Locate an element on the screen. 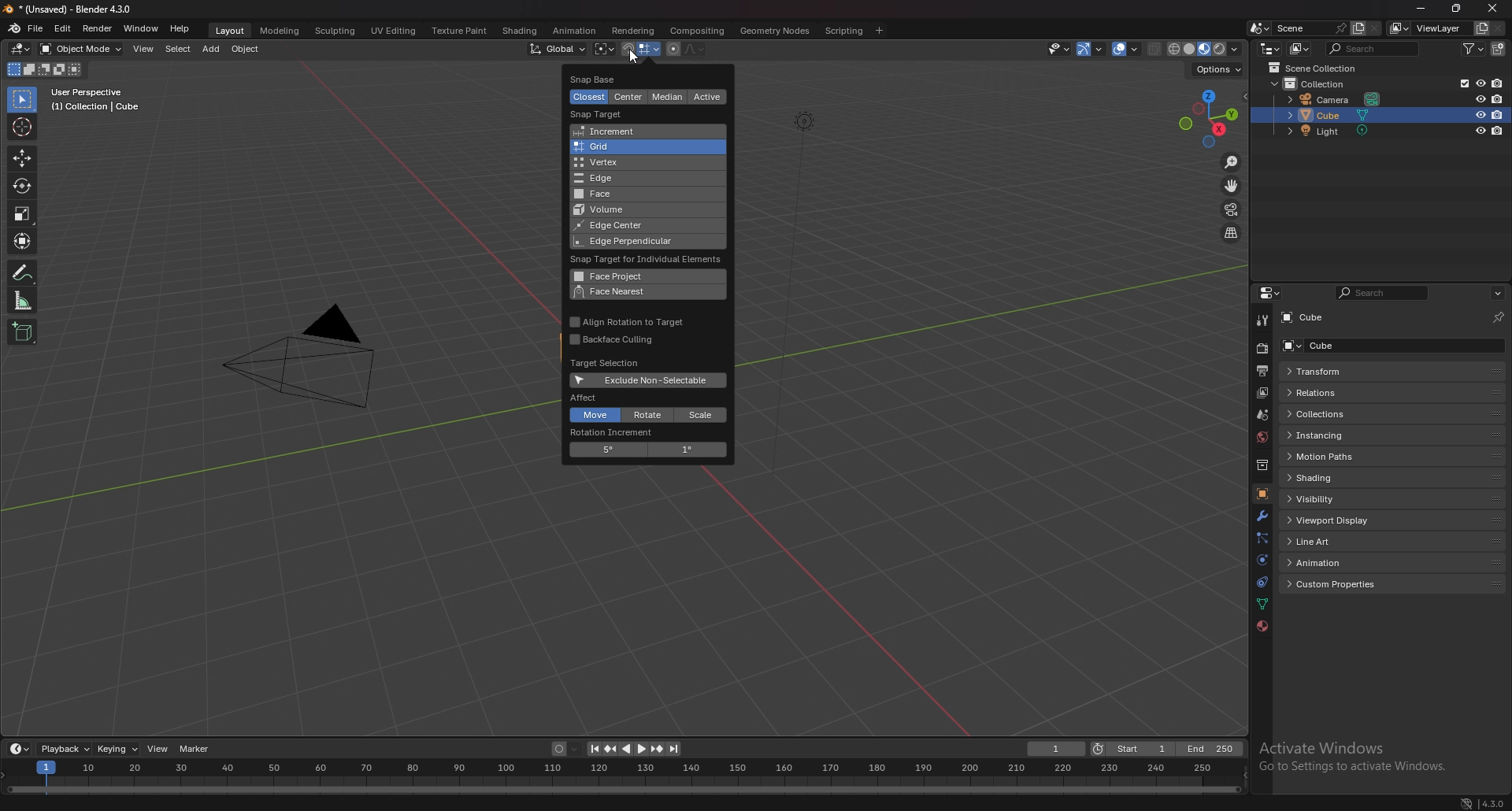 This screenshot has height=811, width=1512. modeling is located at coordinates (280, 30).